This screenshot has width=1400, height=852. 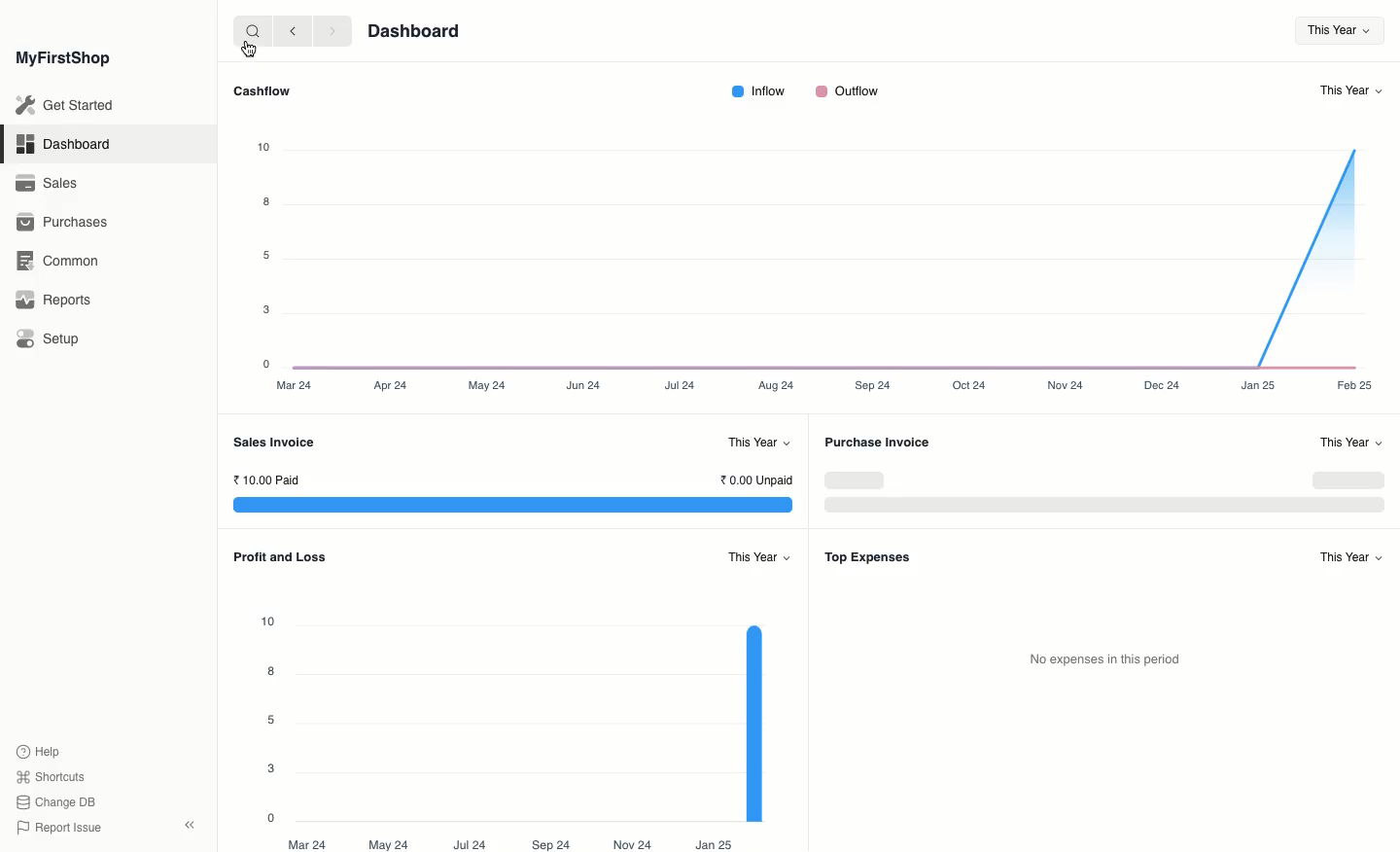 I want to click on 3, so click(x=274, y=768).